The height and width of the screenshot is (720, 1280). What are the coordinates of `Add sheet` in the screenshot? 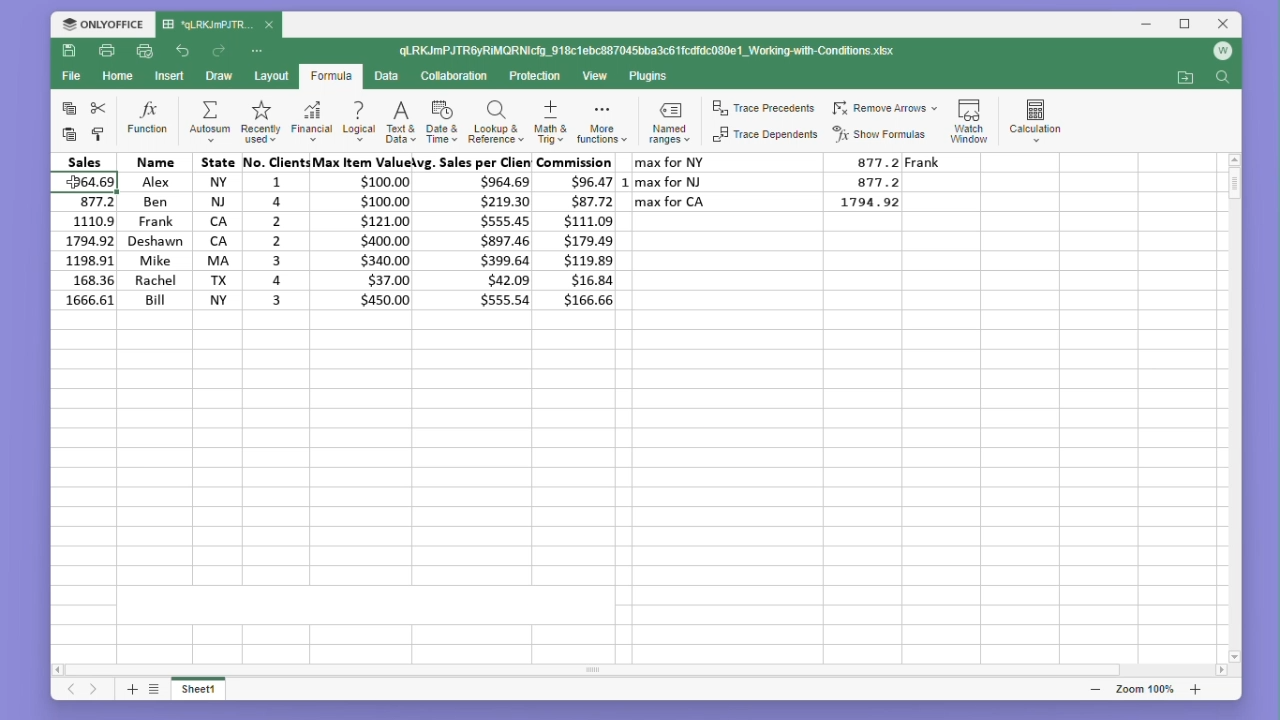 It's located at (130, 691).